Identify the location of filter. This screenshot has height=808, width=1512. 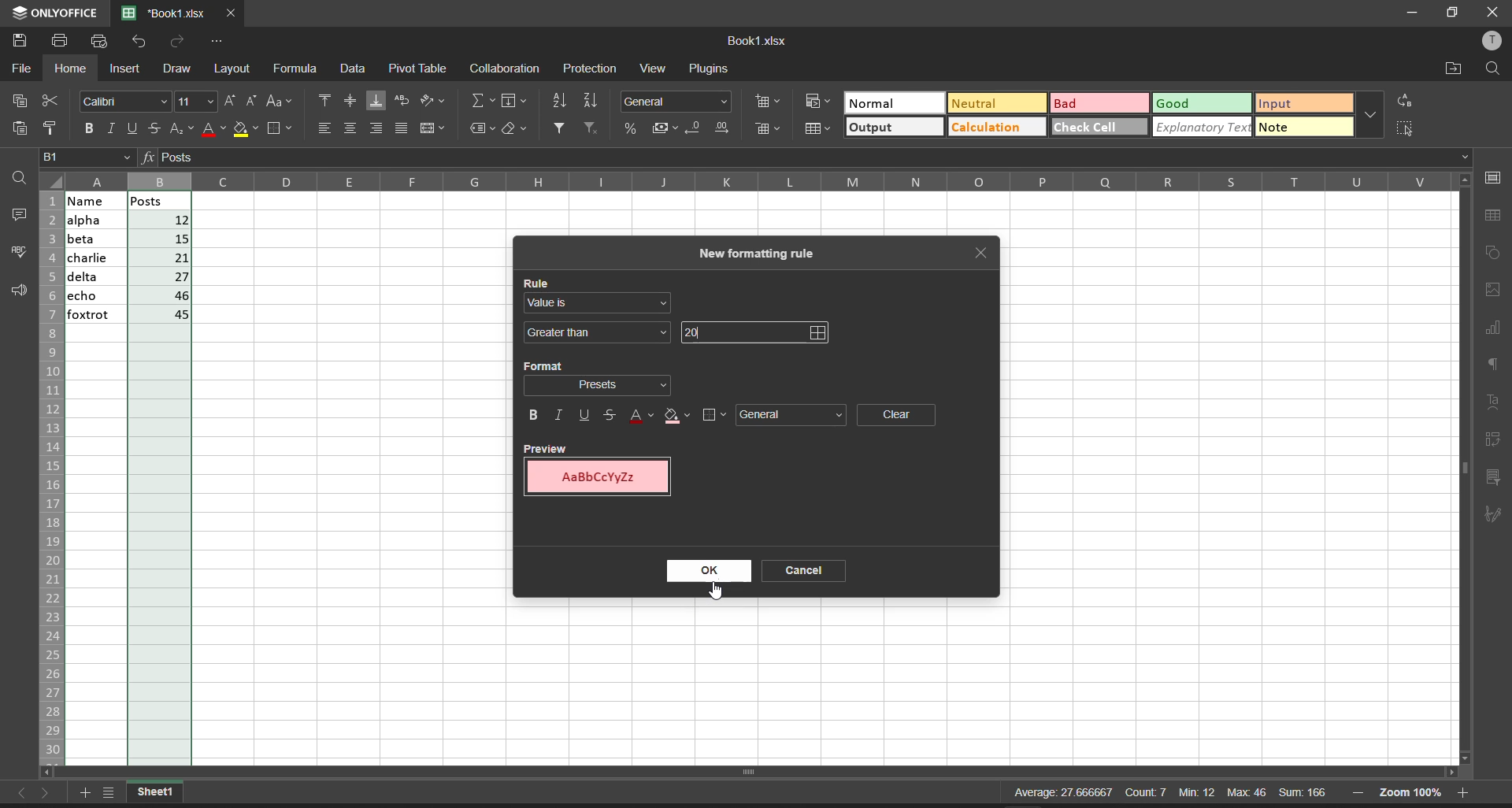
(555, 128).